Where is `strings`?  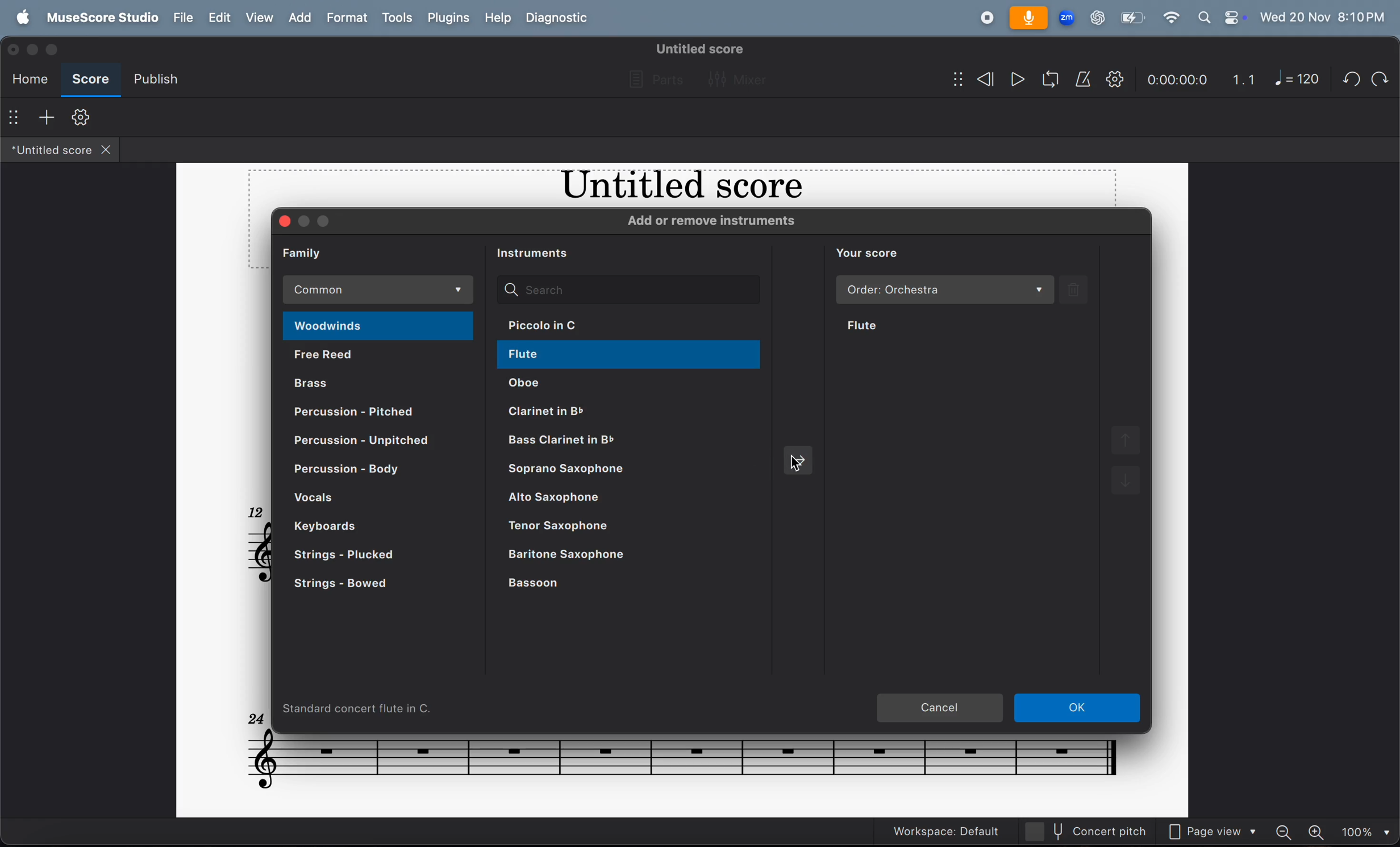
strings is located at coordinates (369, 555).